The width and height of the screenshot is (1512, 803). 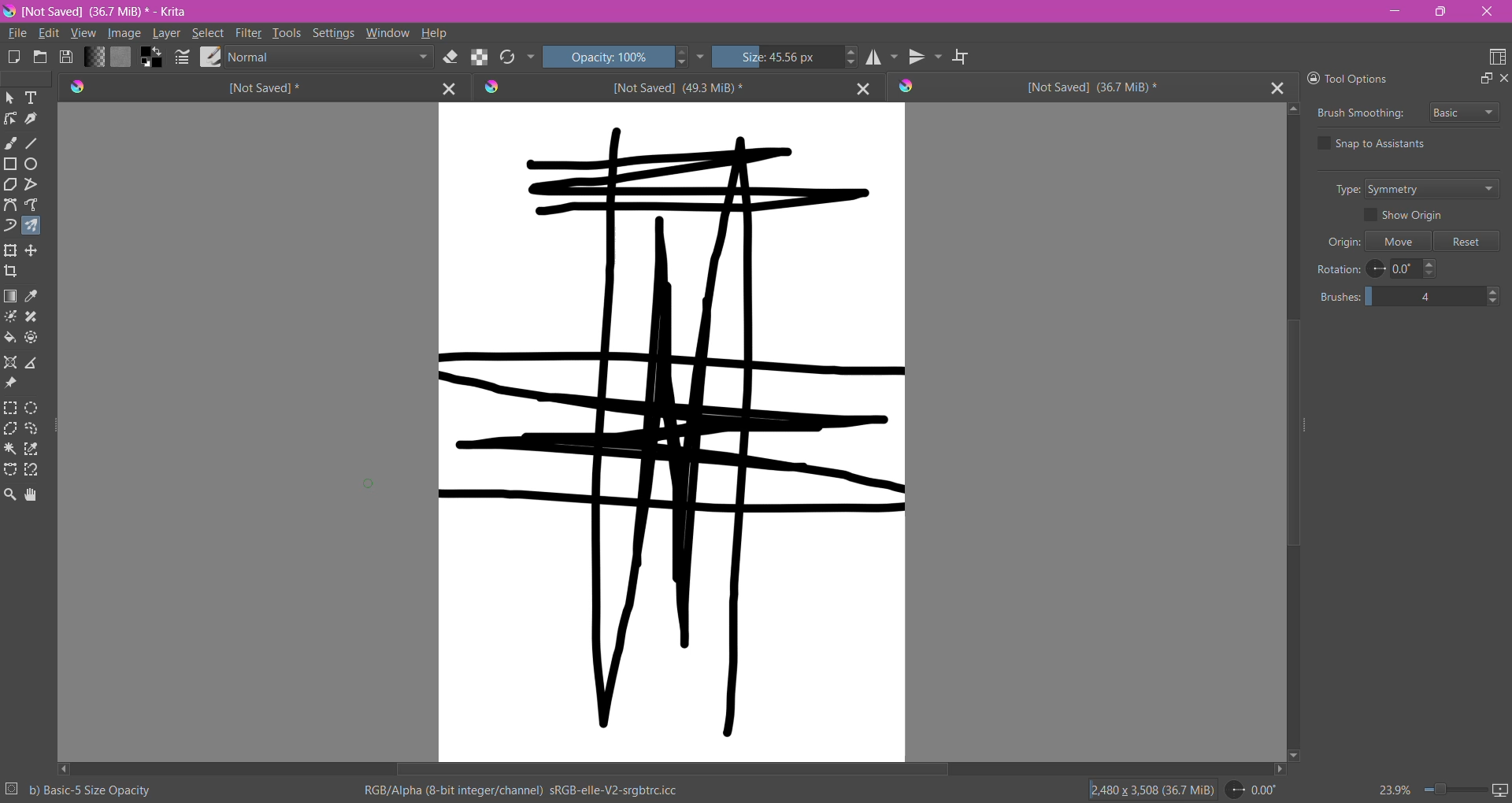 What do you see at coordinates (10, 185) in the screenshot?
I see `Polygon Tool` at bounding box center [10, 185].